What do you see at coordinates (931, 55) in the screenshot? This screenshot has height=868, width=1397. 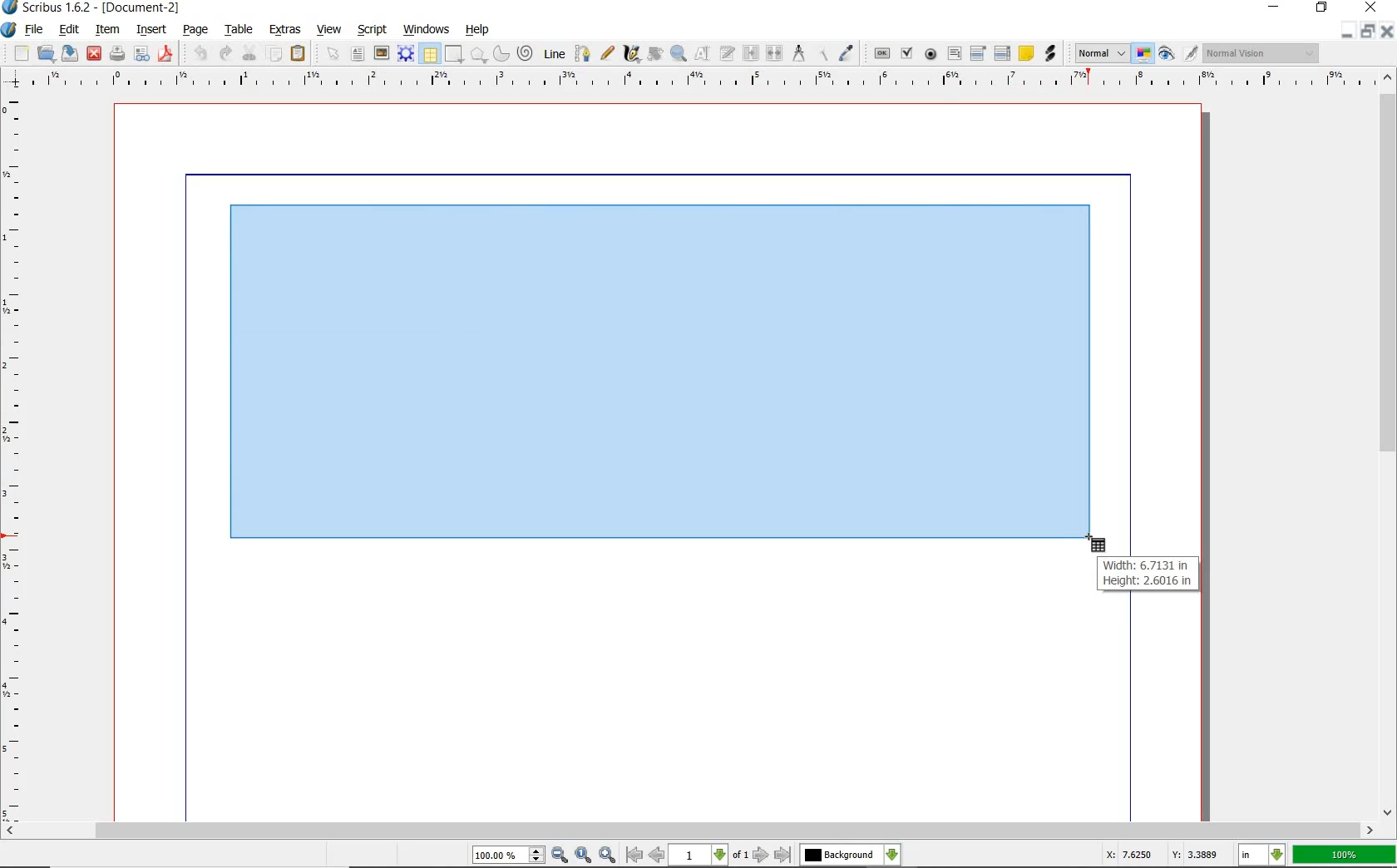 I see `pdf radio button` at bounding box center [931, 55].